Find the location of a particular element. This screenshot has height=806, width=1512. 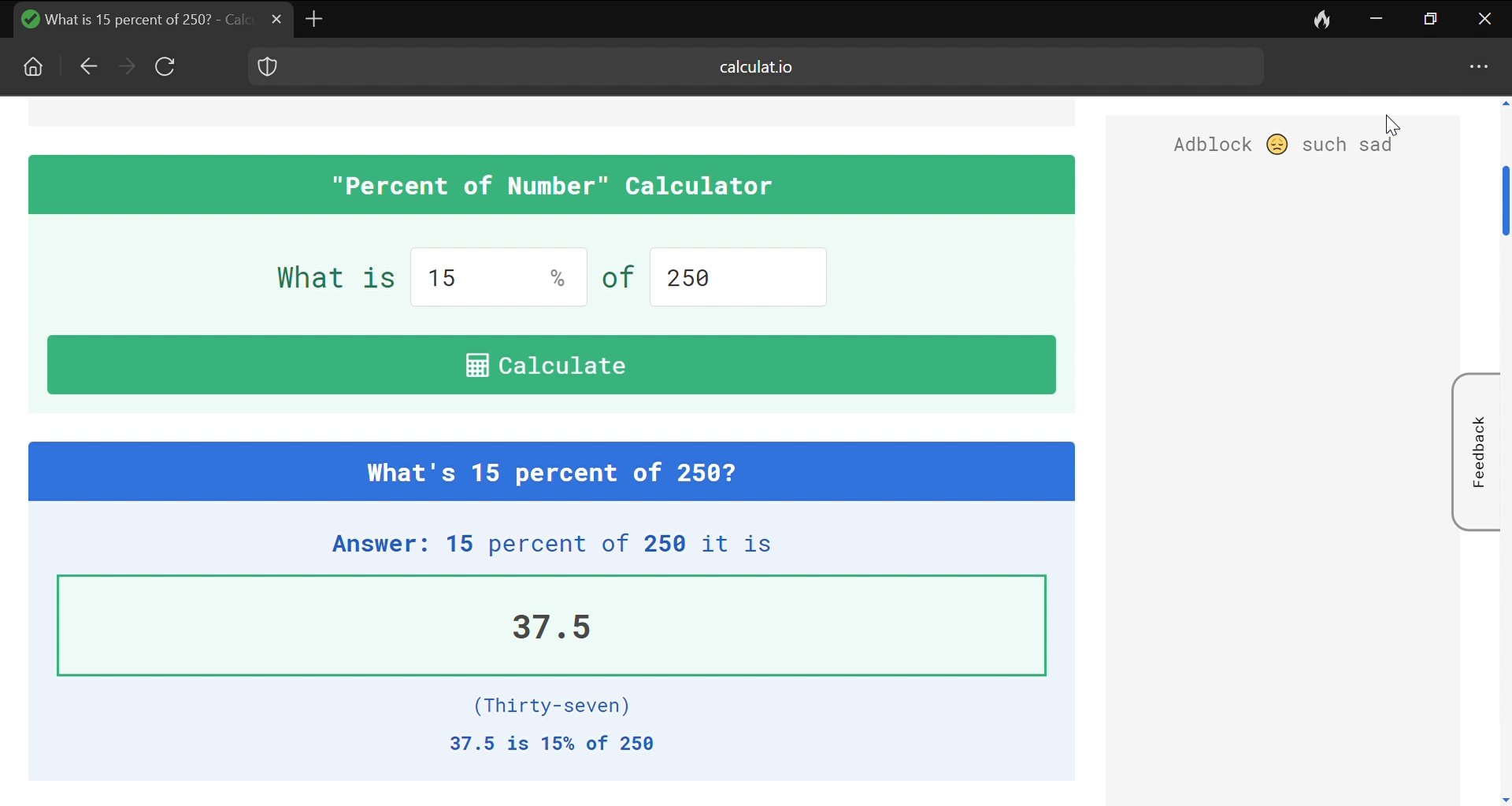

input percentage value, current input 15 is located at coordinates (499, 277).